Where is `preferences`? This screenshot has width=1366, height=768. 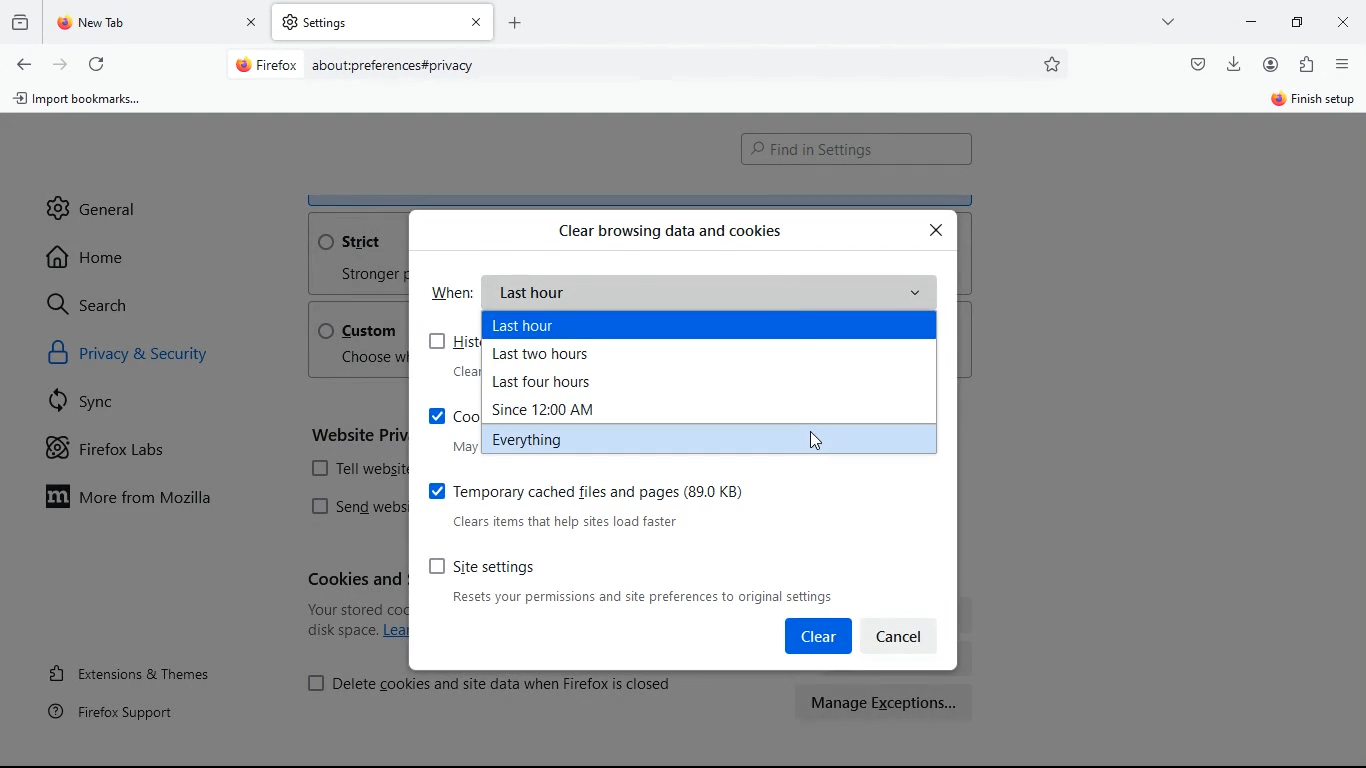
preferences is located at coordinates (1054, 64).